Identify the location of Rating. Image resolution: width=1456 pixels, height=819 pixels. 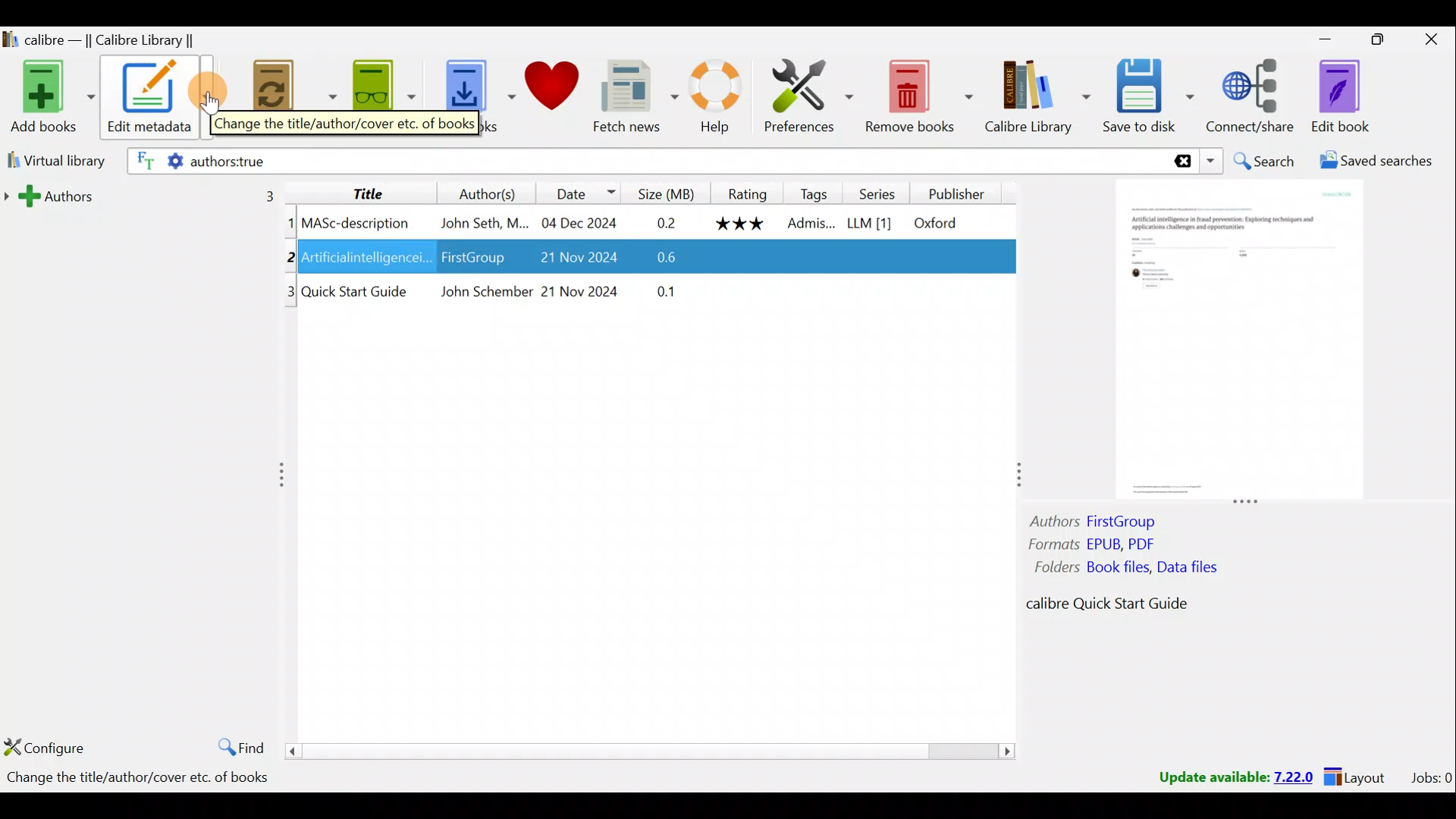
(748, 193).